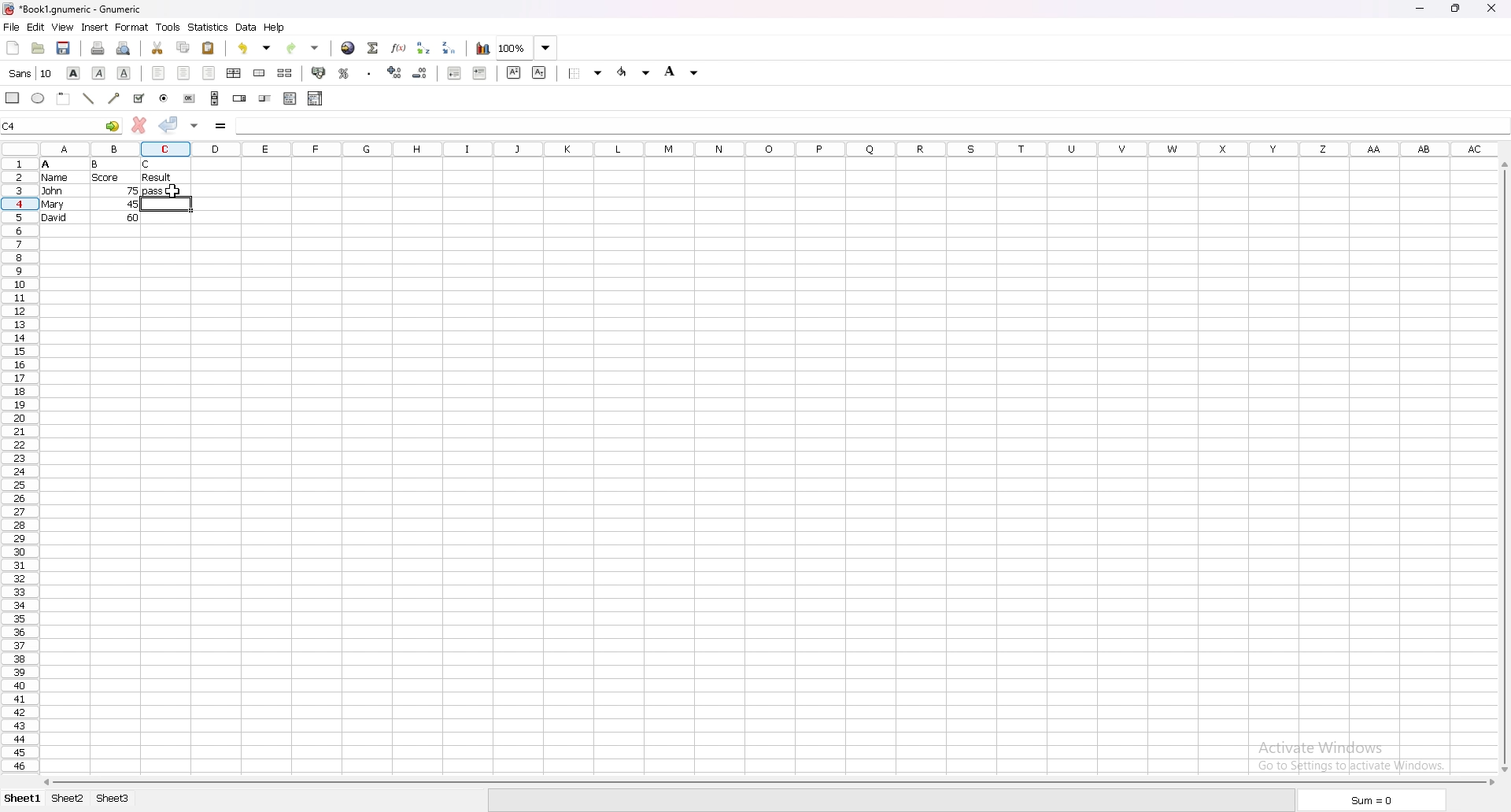 This screenshot has height=812, width=1511. What do you see at coordinates (63, 99) in the screenshot?
I see `frame` at bounding box center [63, 99].